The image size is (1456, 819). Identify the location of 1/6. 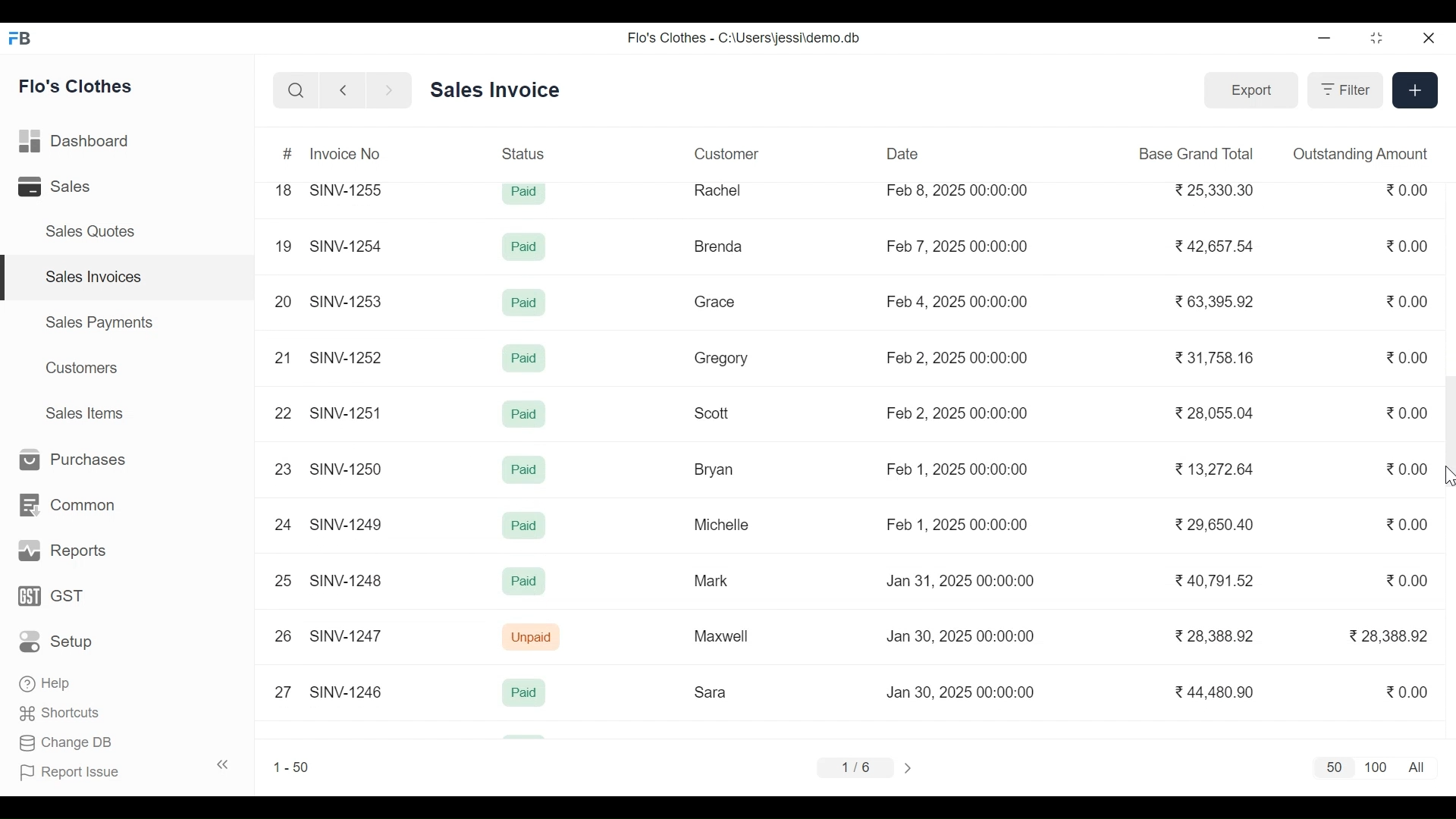
(854, 765).